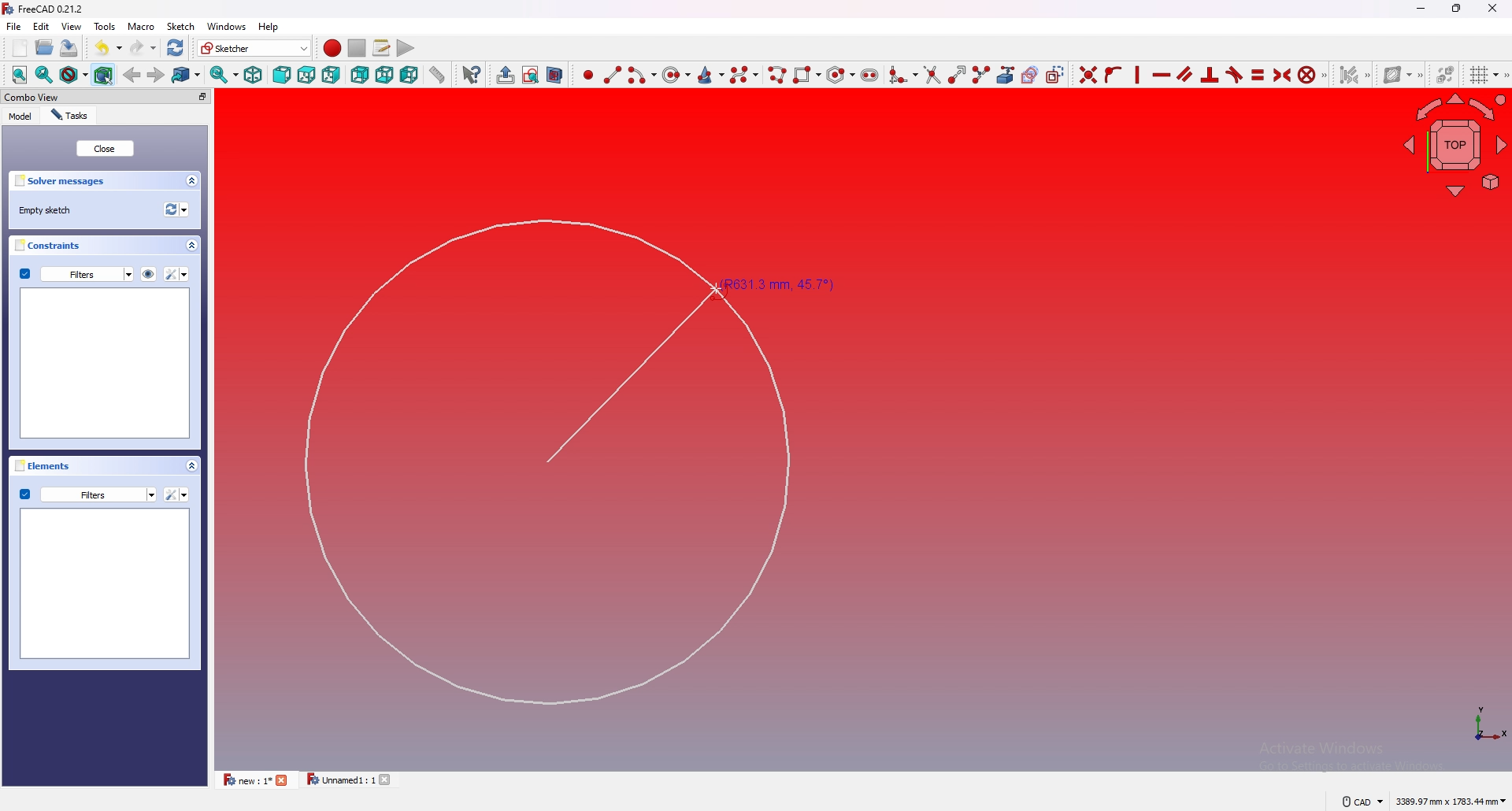 This screenshot has height=811, width=1512. What do you see at coordinates (54, 245) in the screenshot?
I see `constraints` at bounding box center [54, 245].